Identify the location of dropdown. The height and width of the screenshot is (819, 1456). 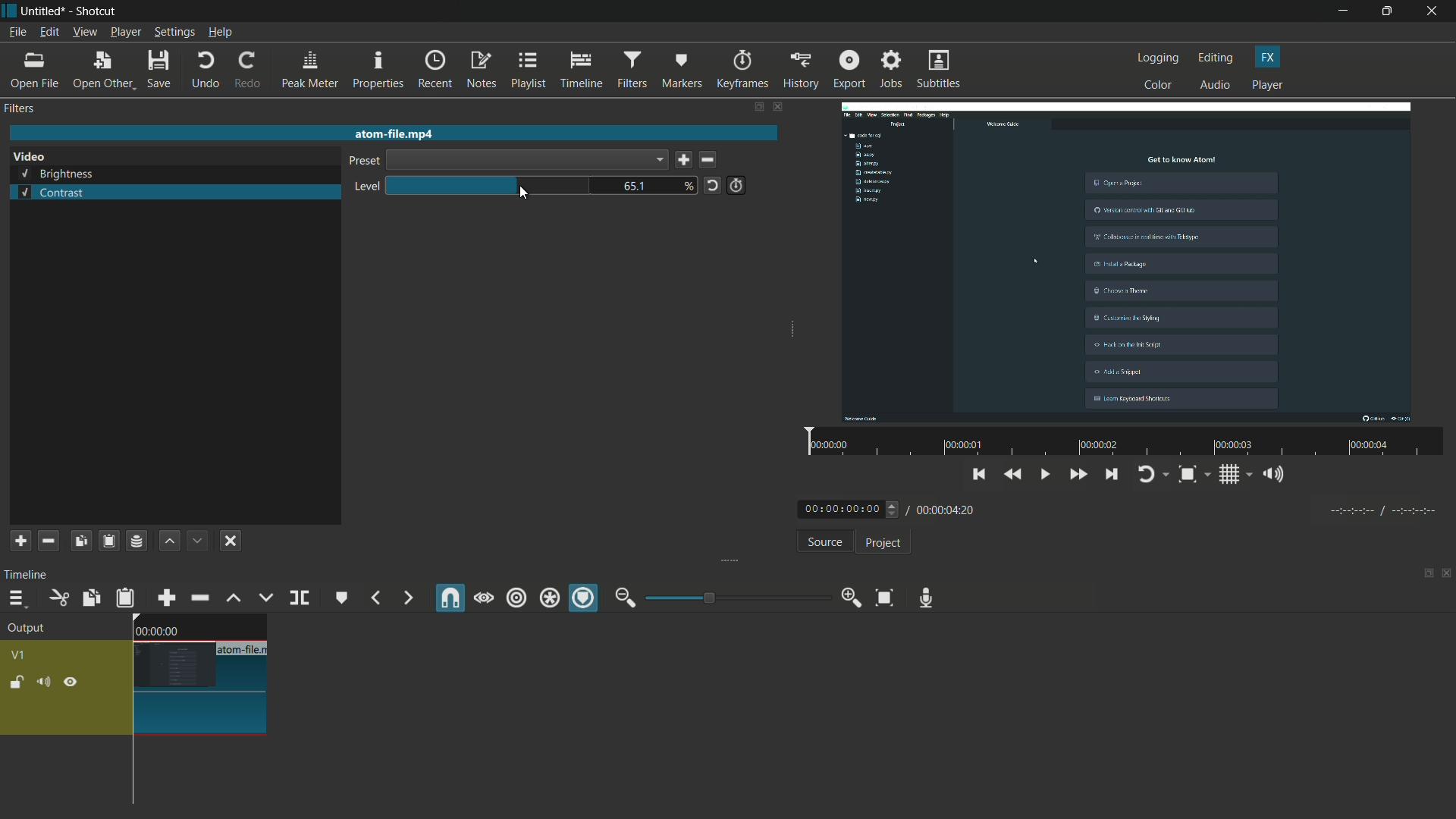
(526, 160).